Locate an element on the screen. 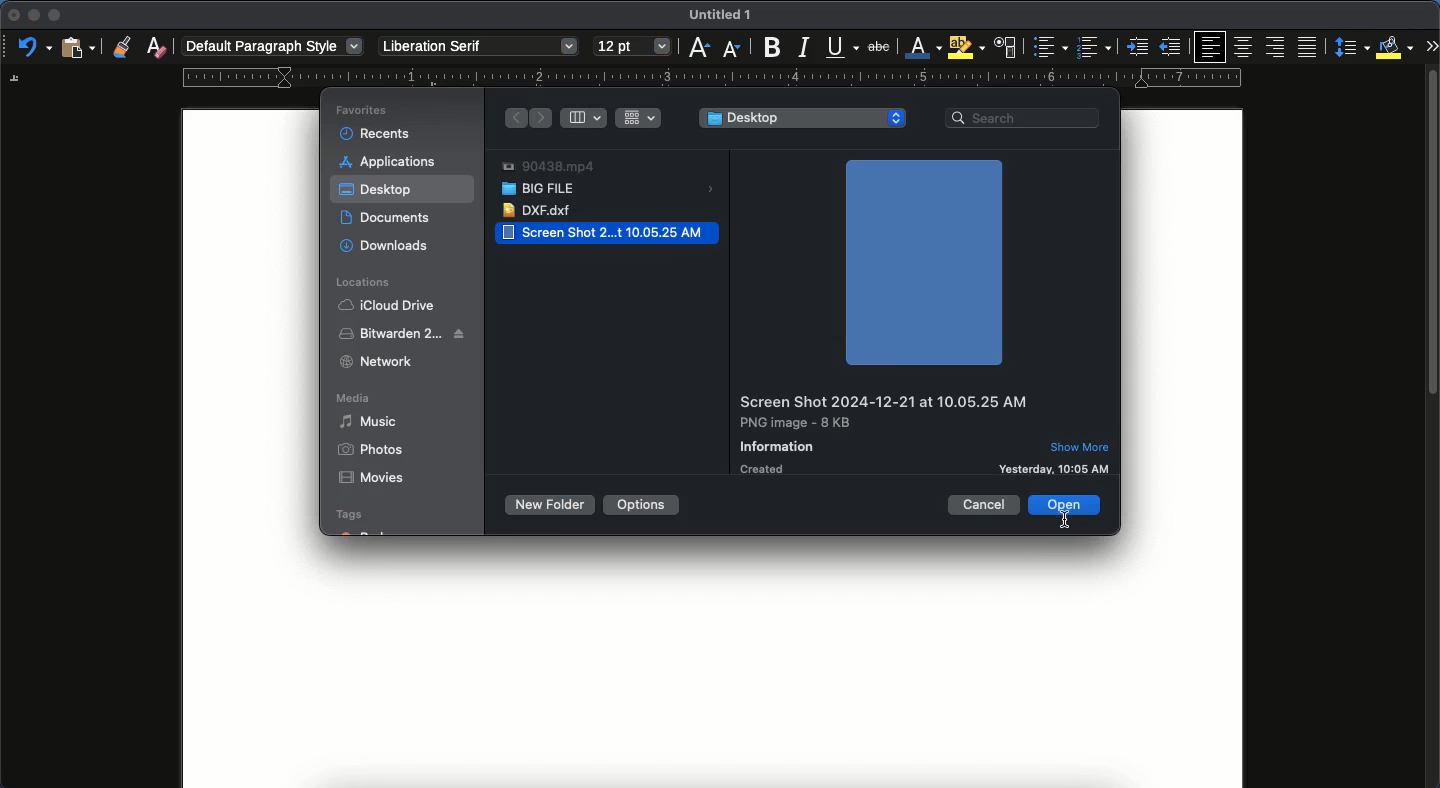 This screenshot has height=788, width=1440. favorite is located at coordinates (364, 111).